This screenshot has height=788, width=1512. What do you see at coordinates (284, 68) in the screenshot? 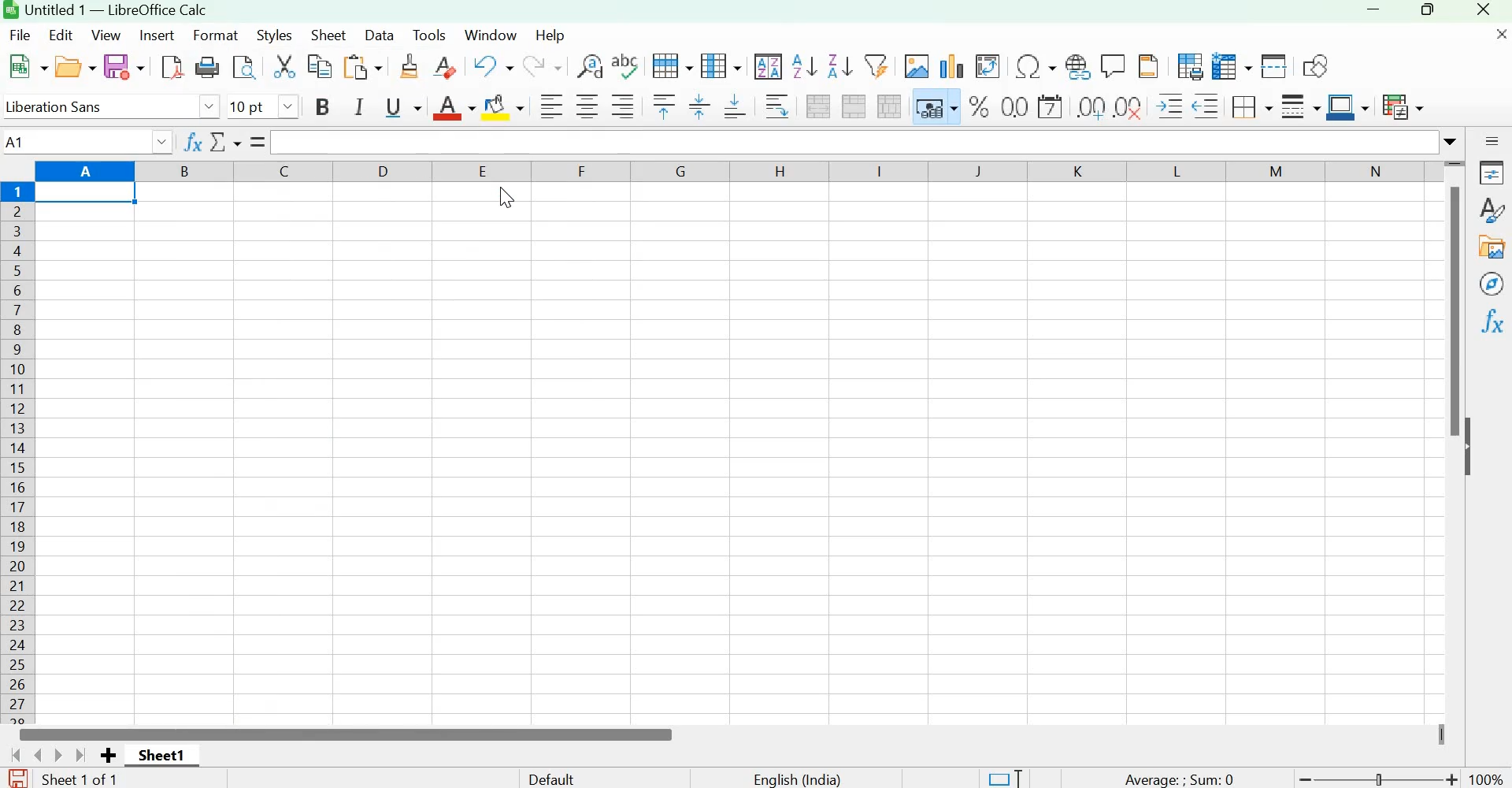
I see `Cut` at bounding box center [284, 68].